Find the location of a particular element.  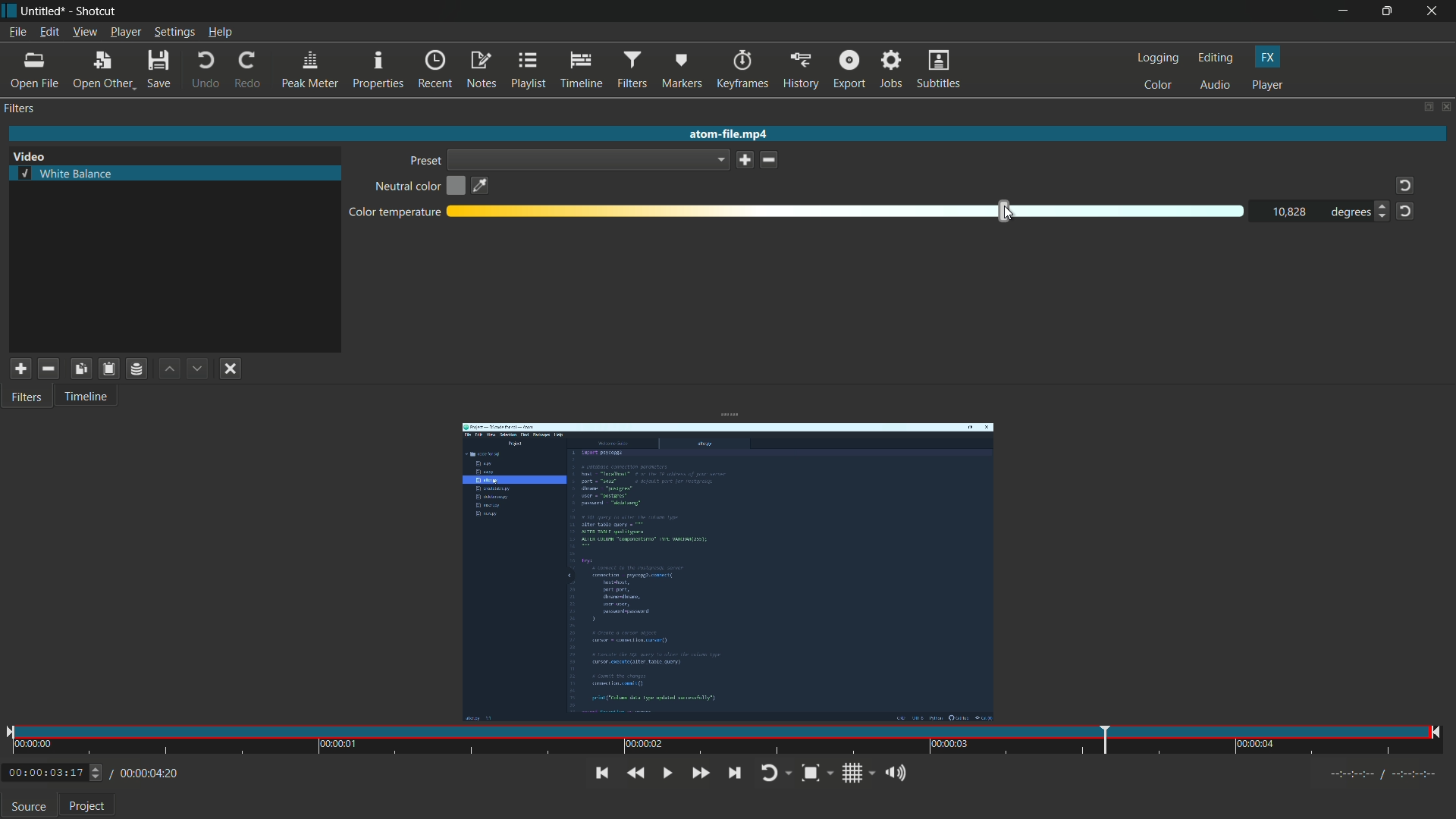

10828 is located at coordinates (1290, 212).